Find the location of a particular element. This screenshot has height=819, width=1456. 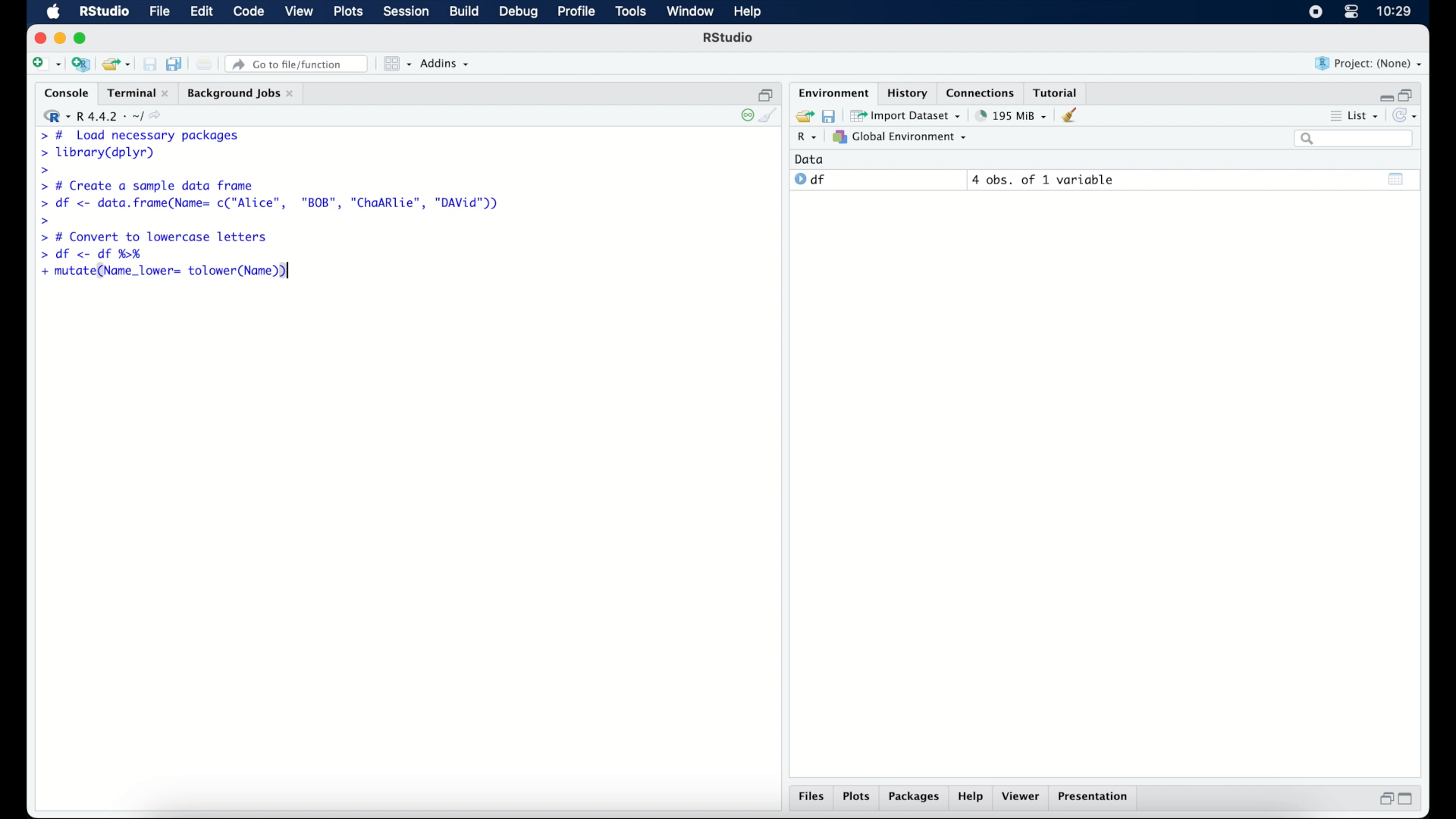

packages is located at coordinates (915, 799).